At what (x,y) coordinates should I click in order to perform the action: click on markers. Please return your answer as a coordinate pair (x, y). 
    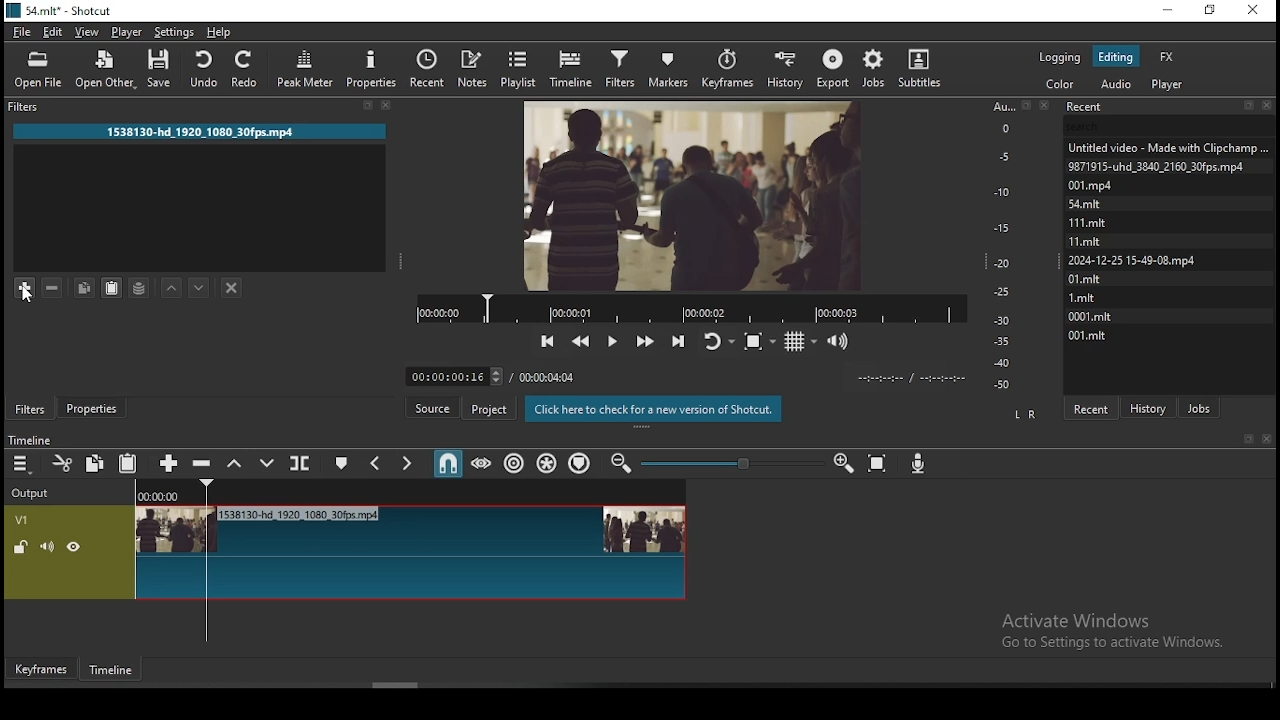
    Looking at the image, I should click on (674, 66).